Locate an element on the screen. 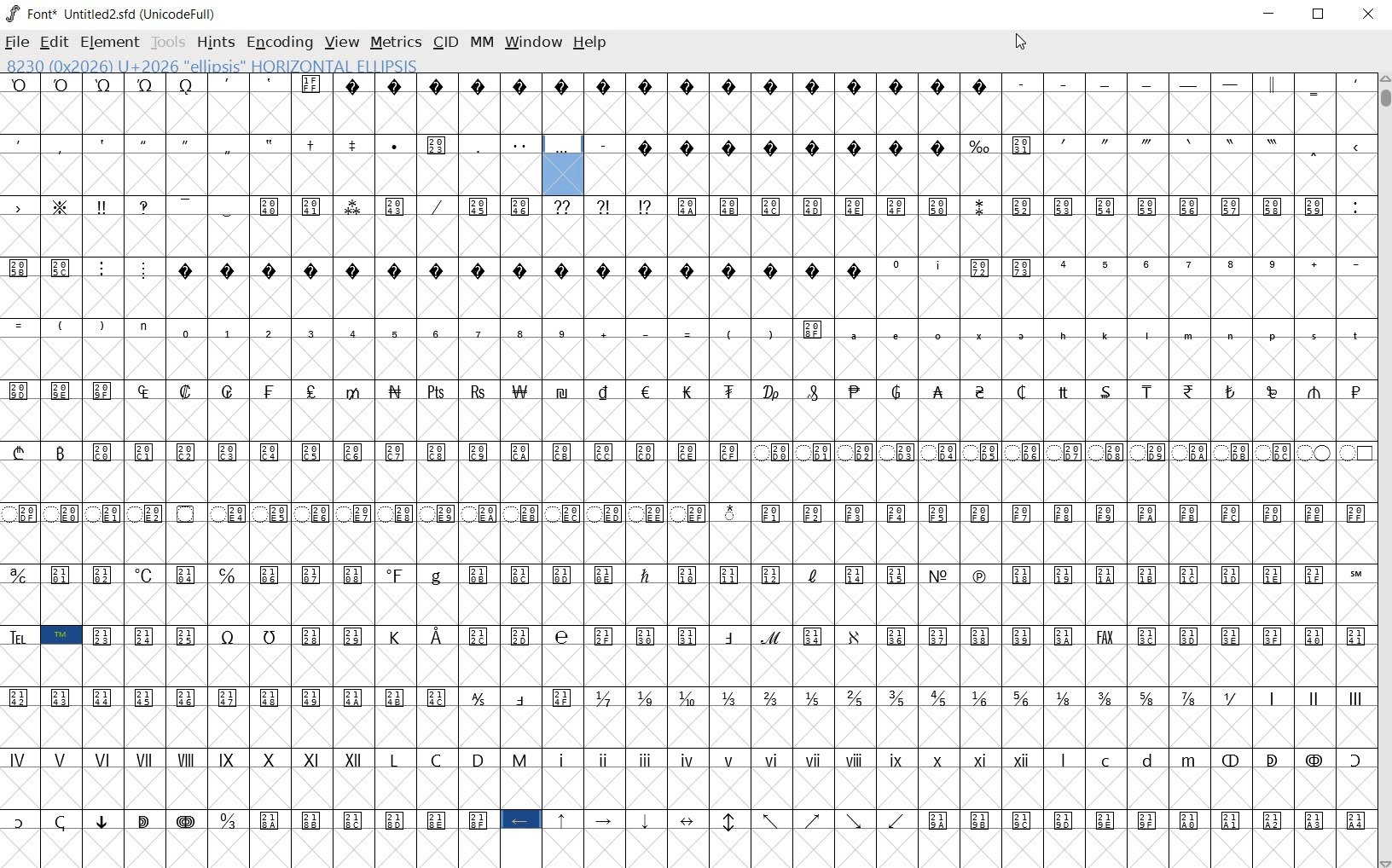 The width and height of the screenshot is (1392, 868). MINIMIZE is located at coordinates (1267, 14).